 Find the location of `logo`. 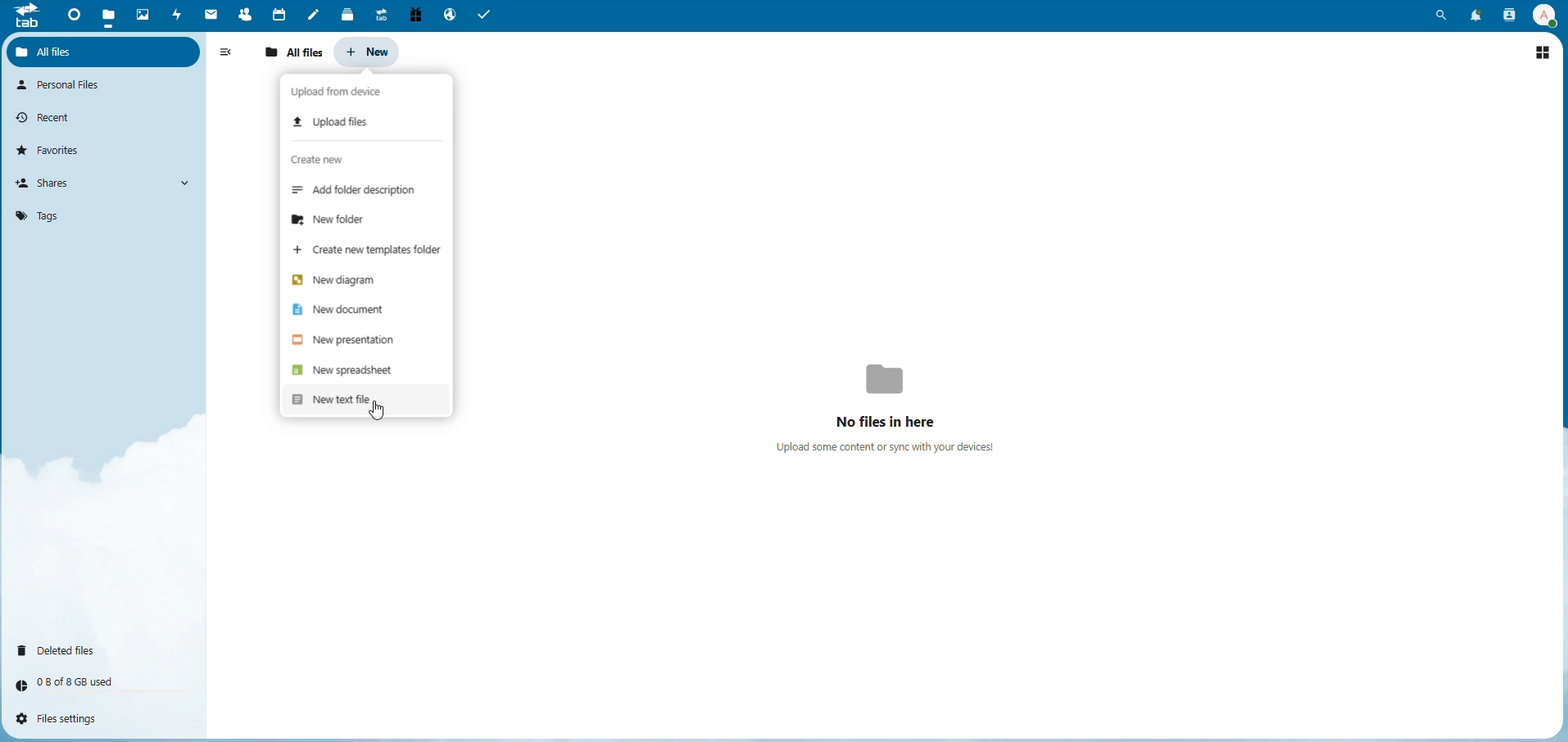

logo is located at coordinates (26, 20).